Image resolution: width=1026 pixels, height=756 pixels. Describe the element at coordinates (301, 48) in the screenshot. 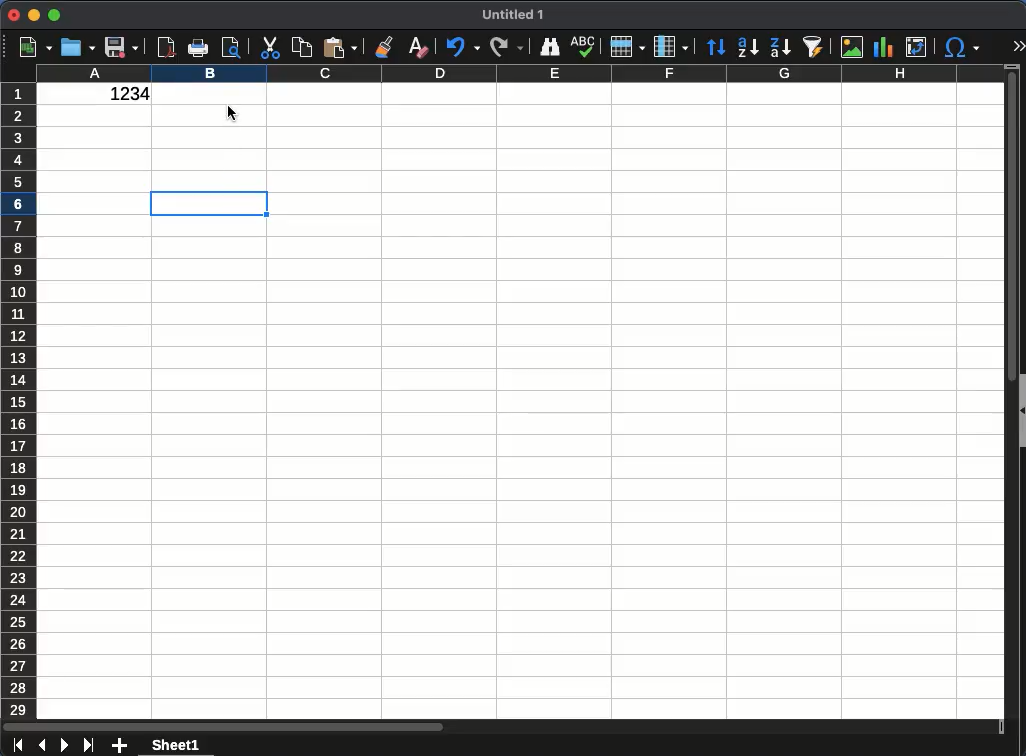

I see `copy` at that location.